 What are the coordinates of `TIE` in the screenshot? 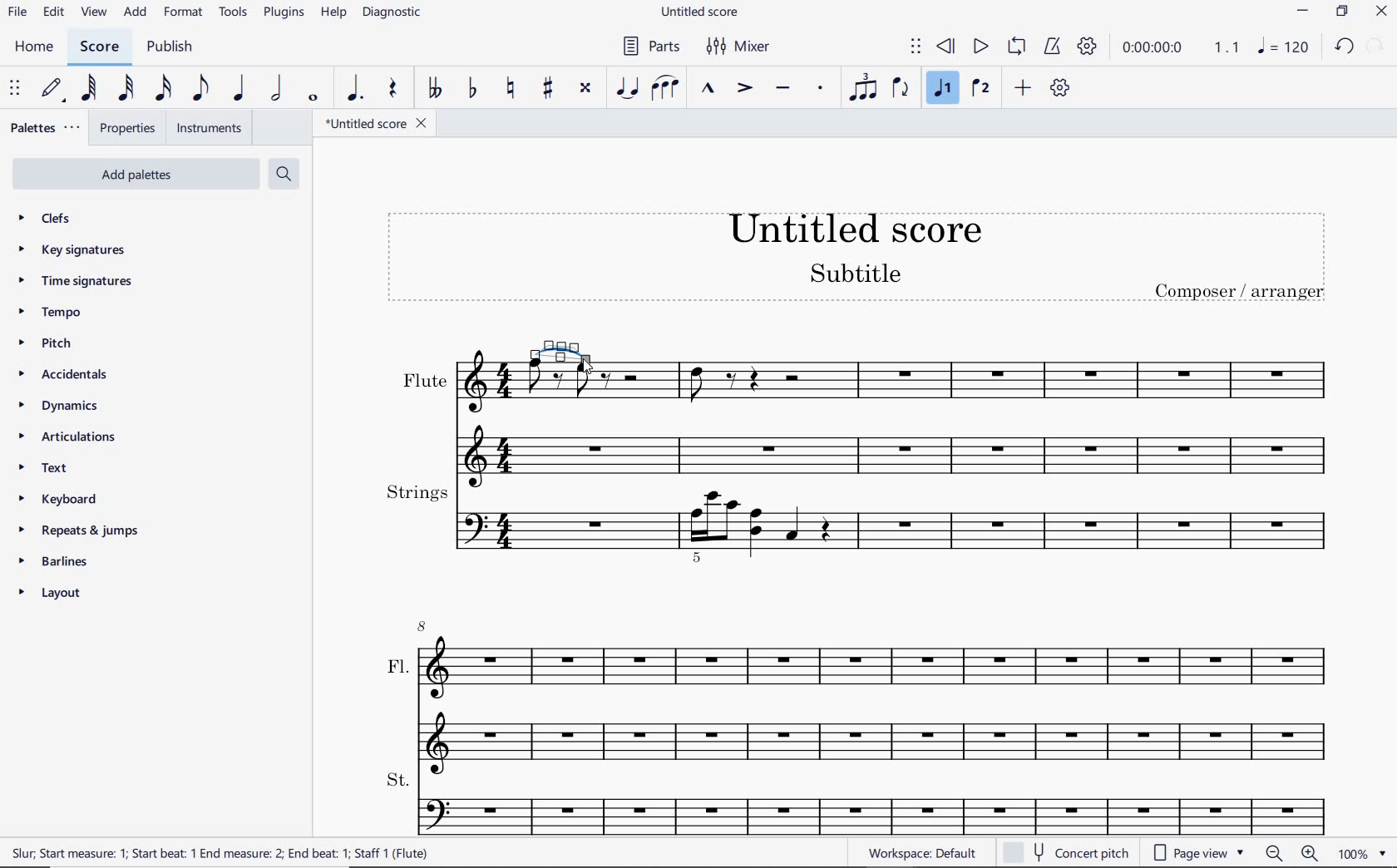 It's located at (626, 89).